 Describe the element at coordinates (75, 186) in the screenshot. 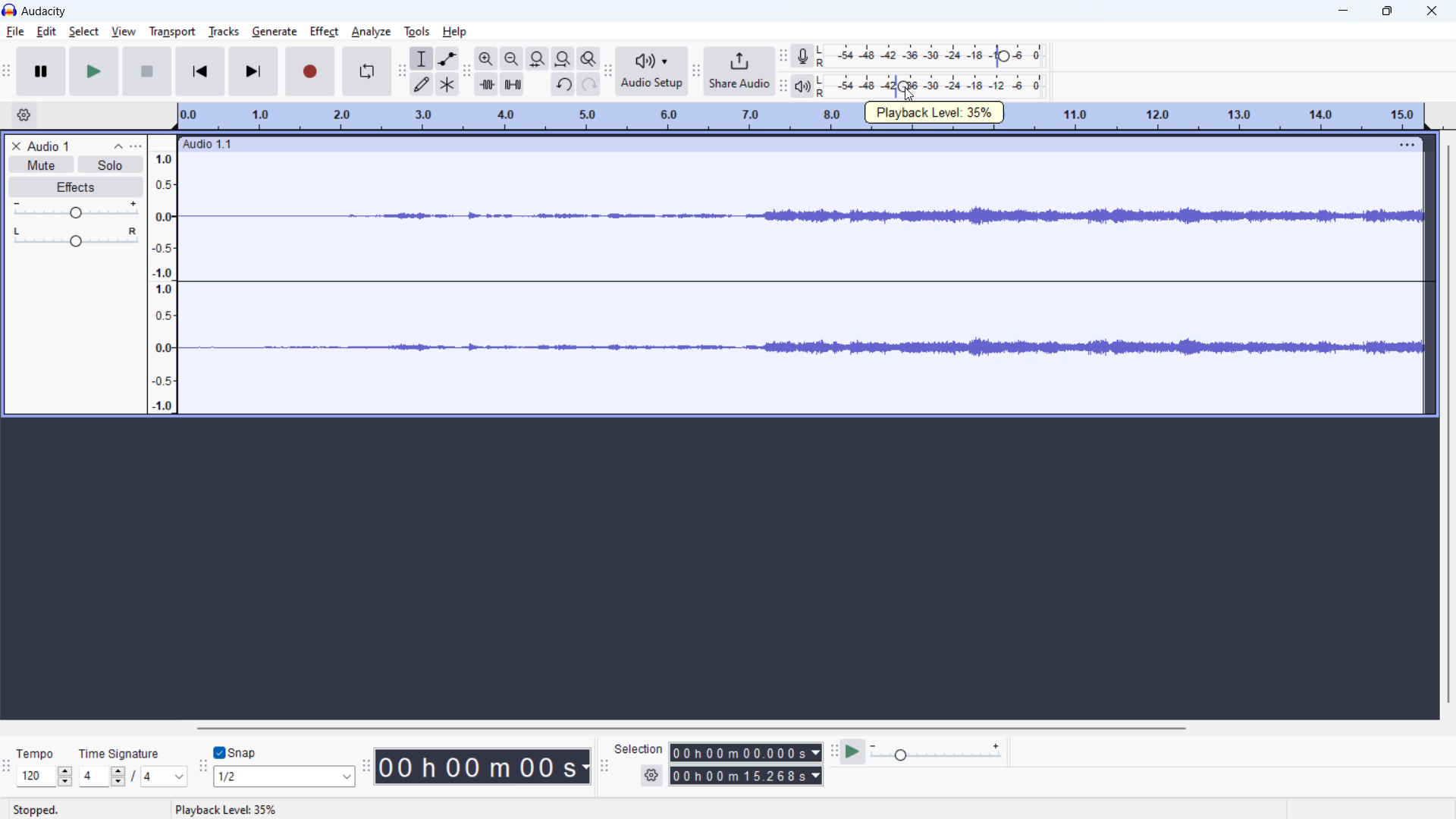

I see `effects` at that location.